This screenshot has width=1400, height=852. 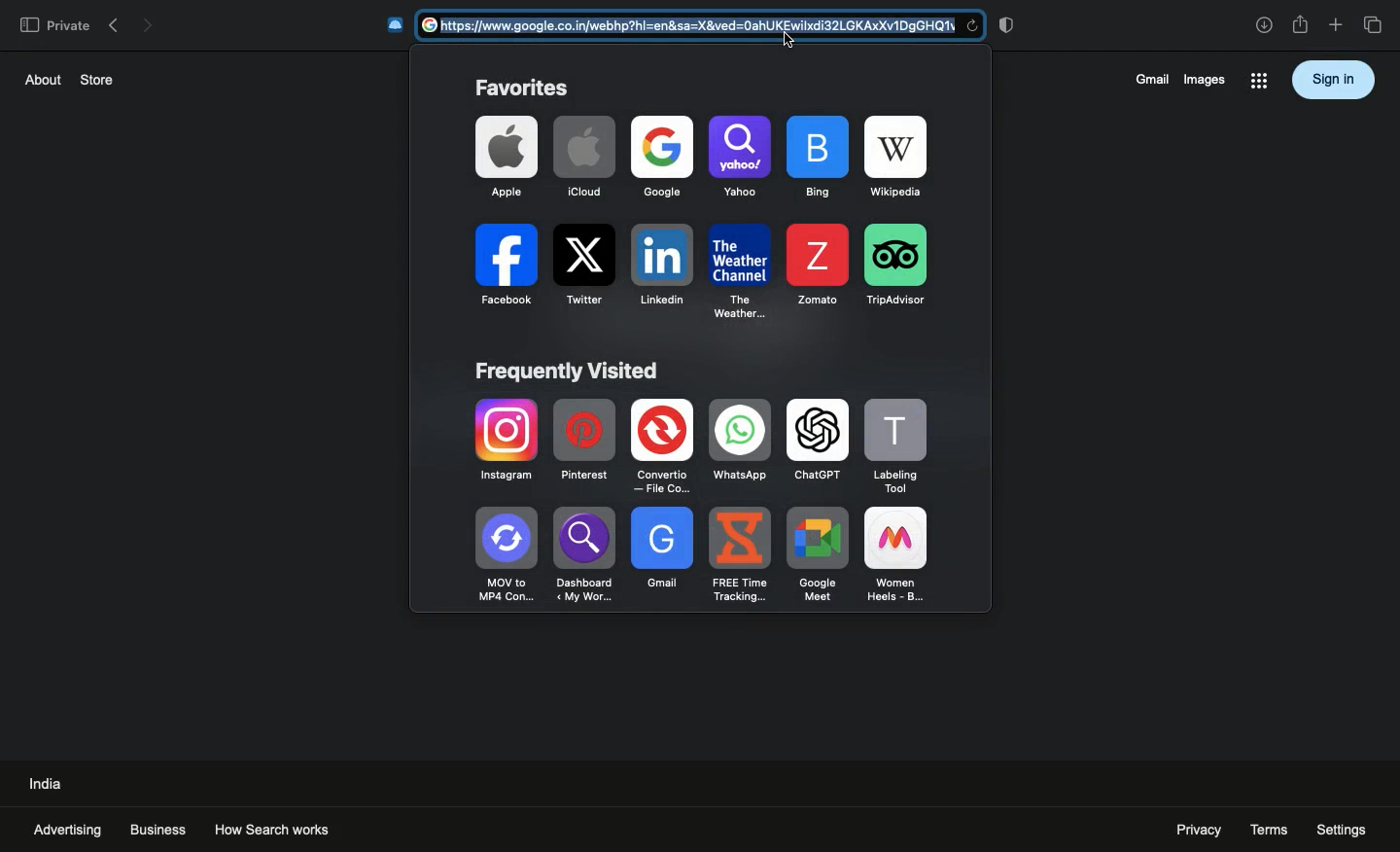 I want to click on search bar, so click(x=704, y=26).